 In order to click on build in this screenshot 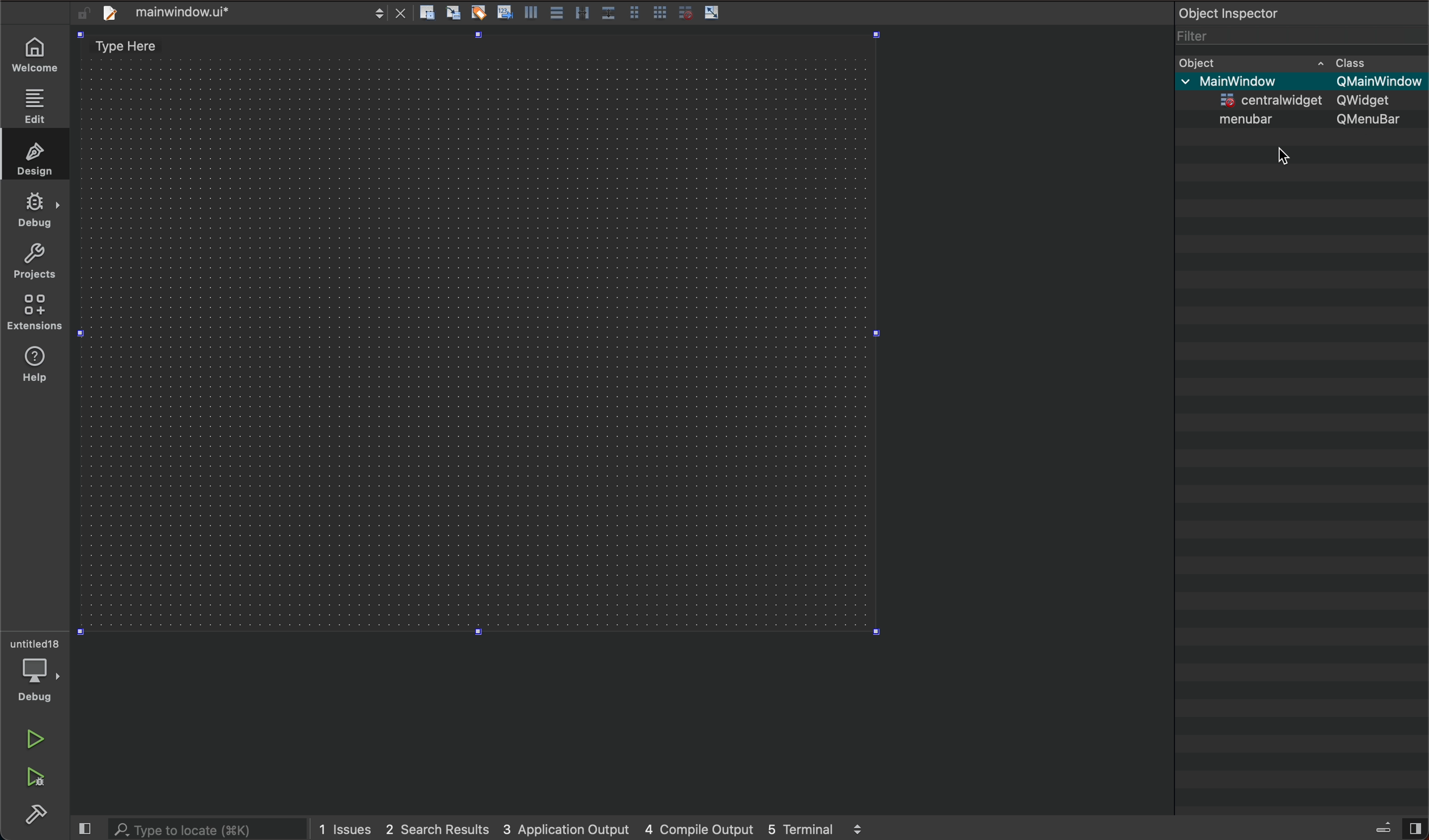, I will do `click(34, 813)`.